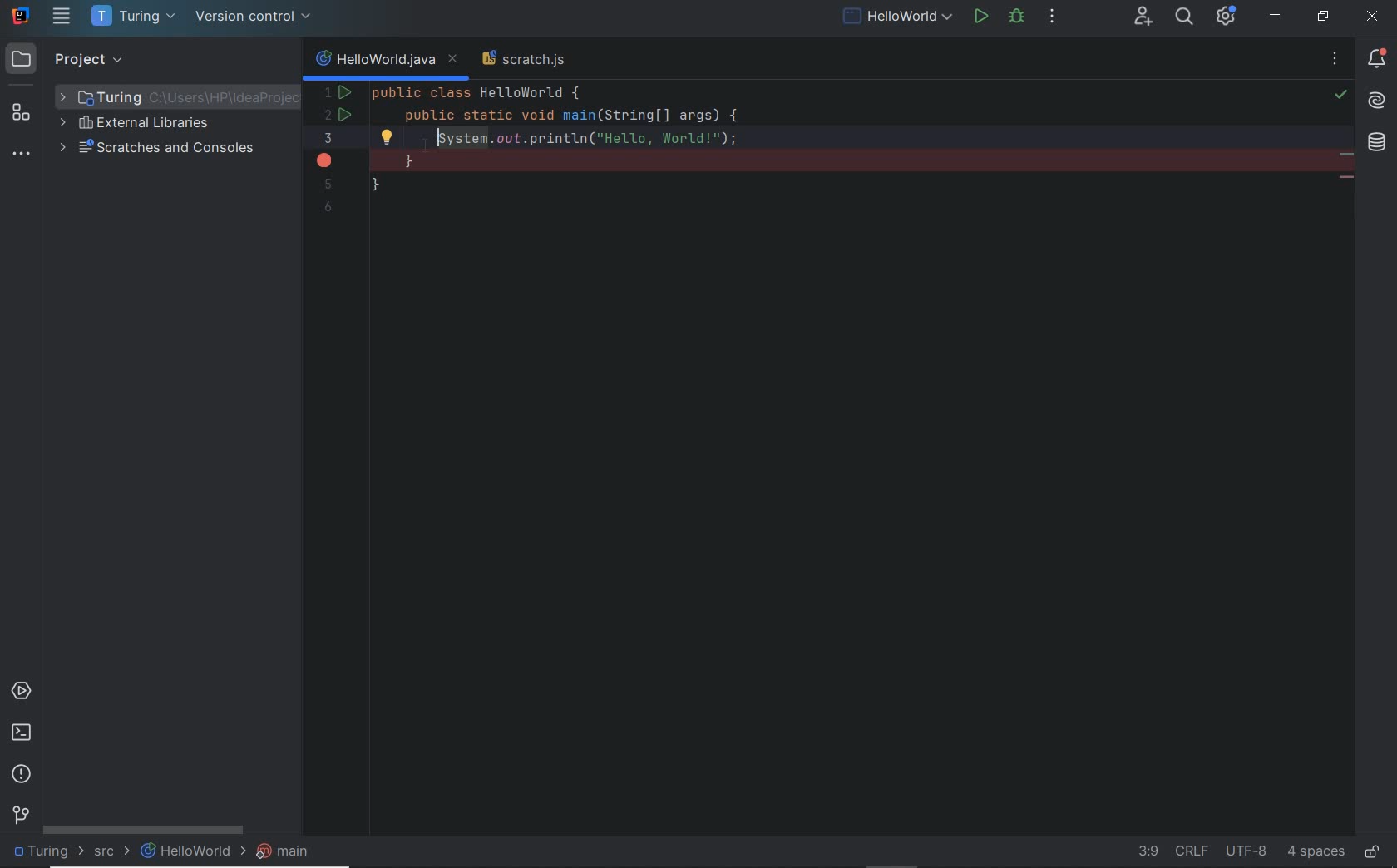 This screenshot has height=868, width=1397. I want to click on src, so click(109, 852).